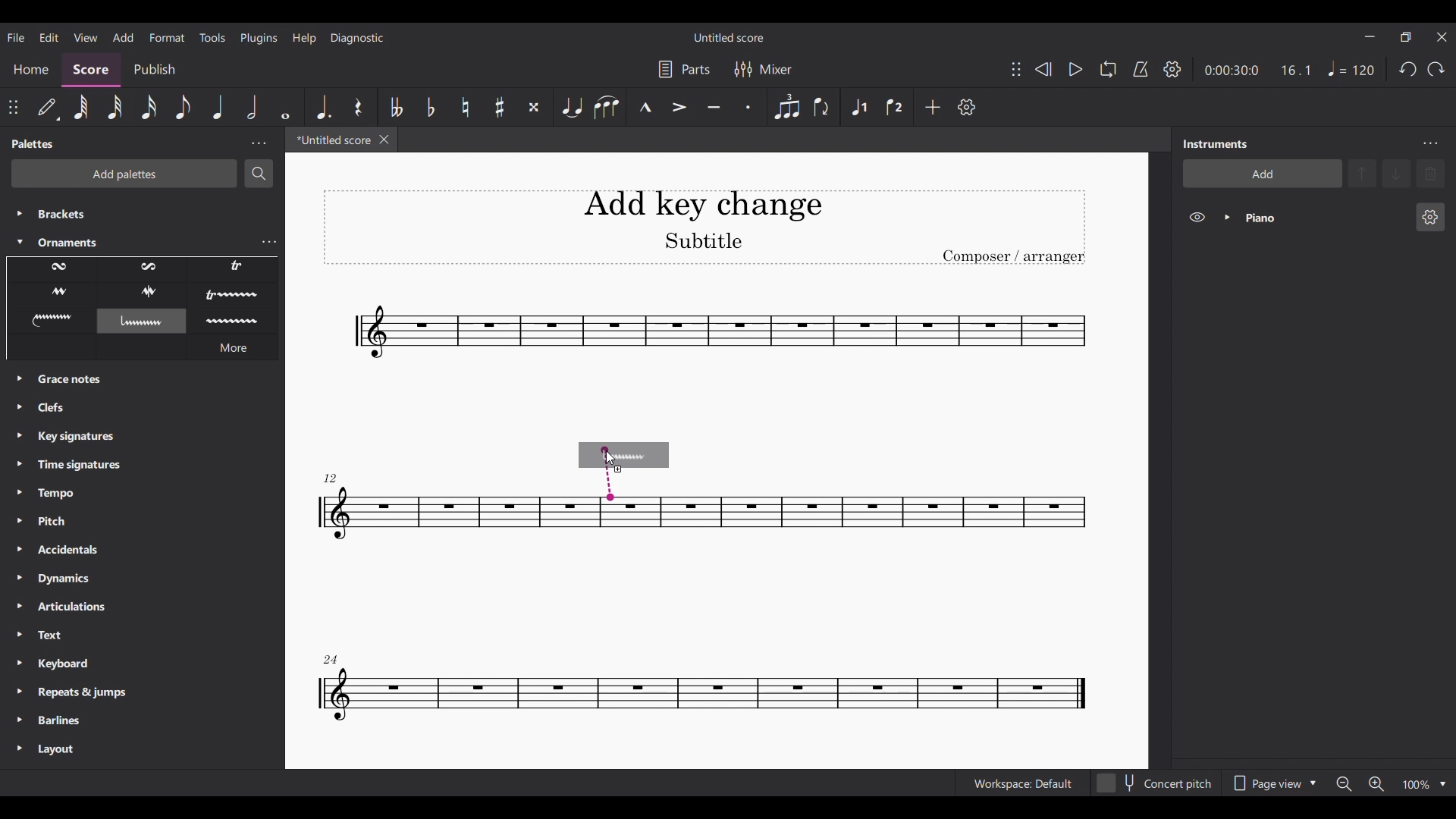  What do you see at coordinates (1172, 70) in the screenshot?
I see `Playback settings` at bounding box center [1172, 70].